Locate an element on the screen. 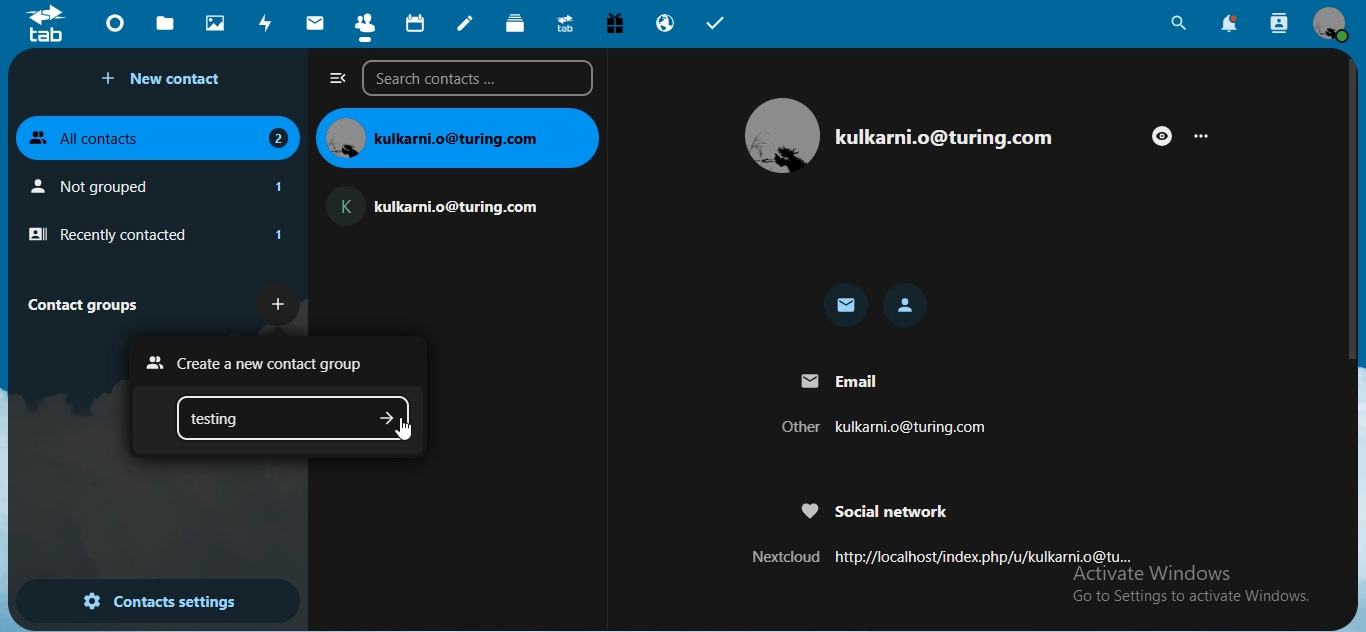 This screenshot has width=1366, height=632. not grouped is located at coordinates (162, 186).